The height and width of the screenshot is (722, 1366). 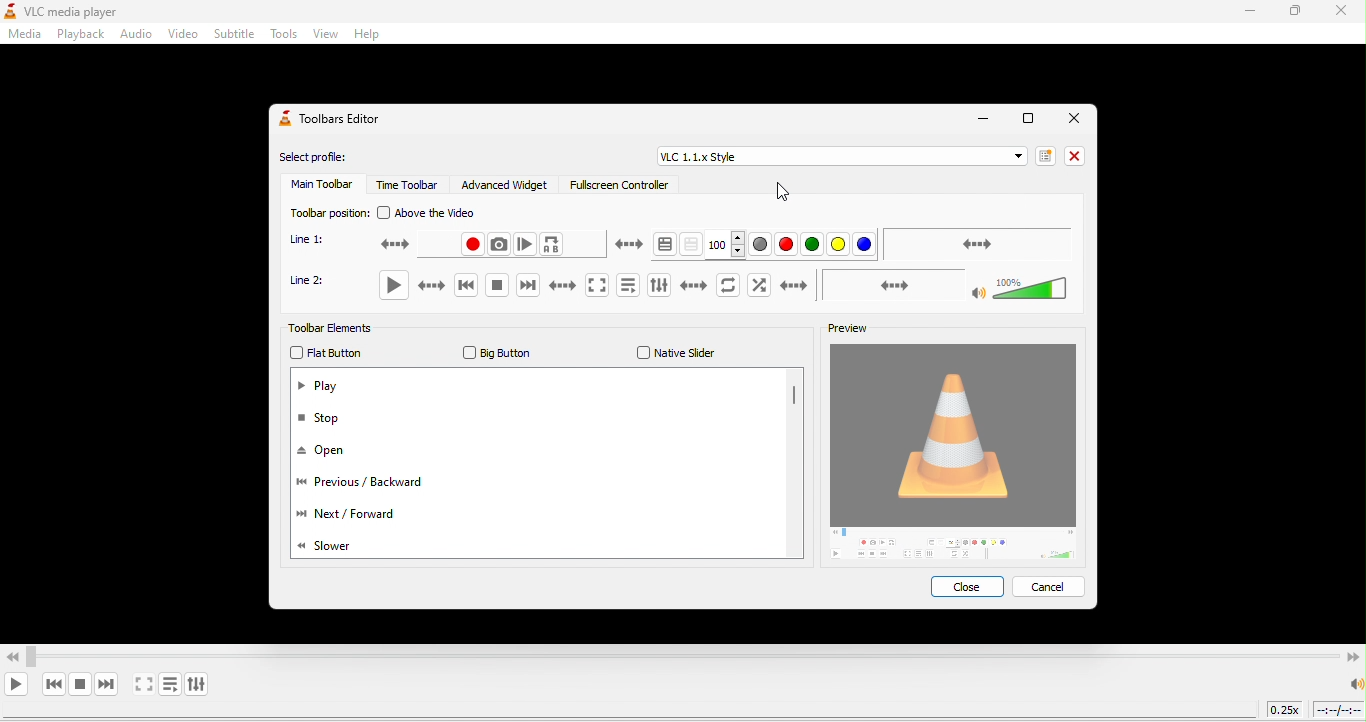 What do you see at coordinates (958, 454) in the screenshot?
I see `image` at bounding box center [958, 454].